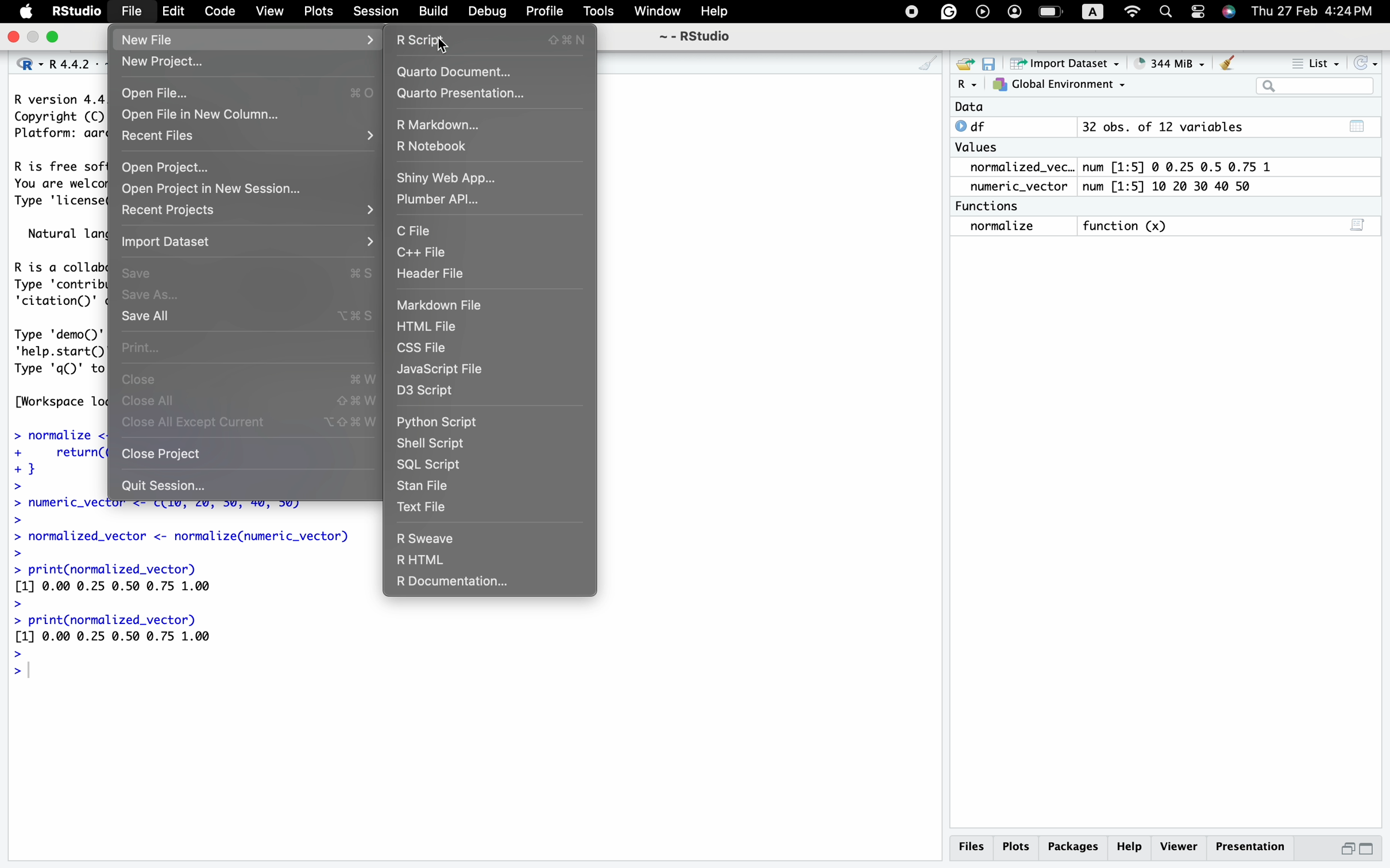 The image size is (1390, 868). What do you see at coordinates (428, 464) in the screenshot?
I see `SQL Script` at bounding box center [428, 464].